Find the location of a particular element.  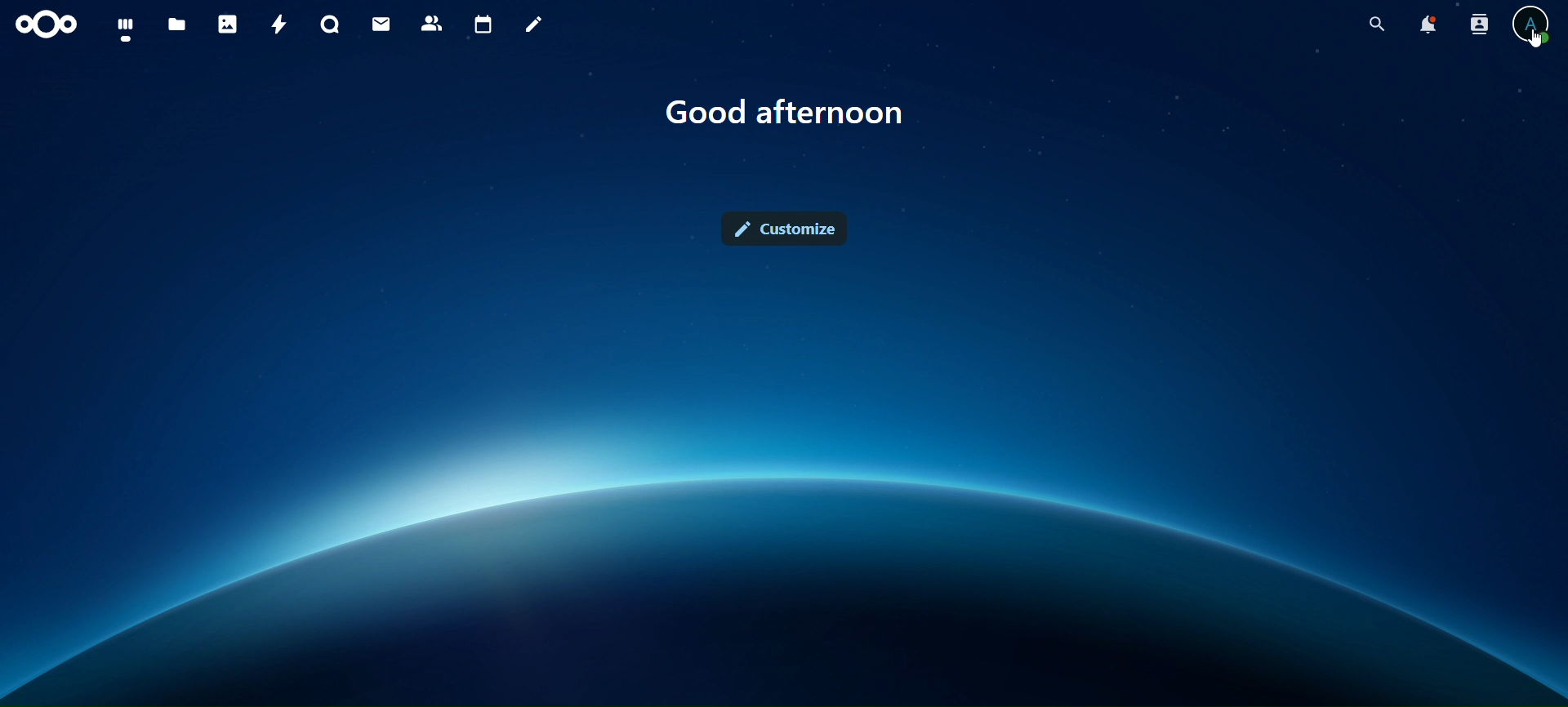

notifications is located at coordinates (1426, 24).